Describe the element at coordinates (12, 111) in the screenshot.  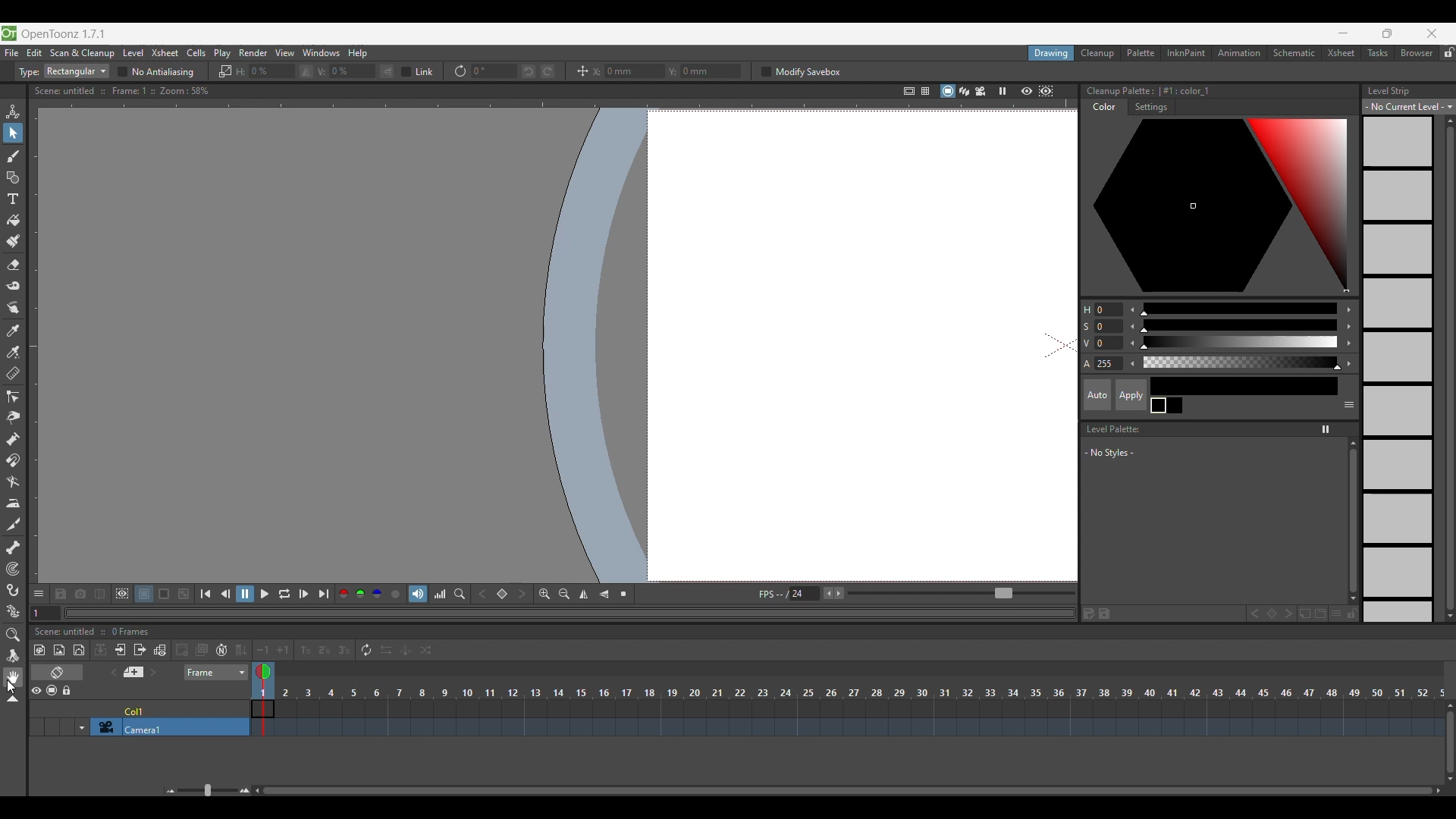
I see `Animate tool` at that location.